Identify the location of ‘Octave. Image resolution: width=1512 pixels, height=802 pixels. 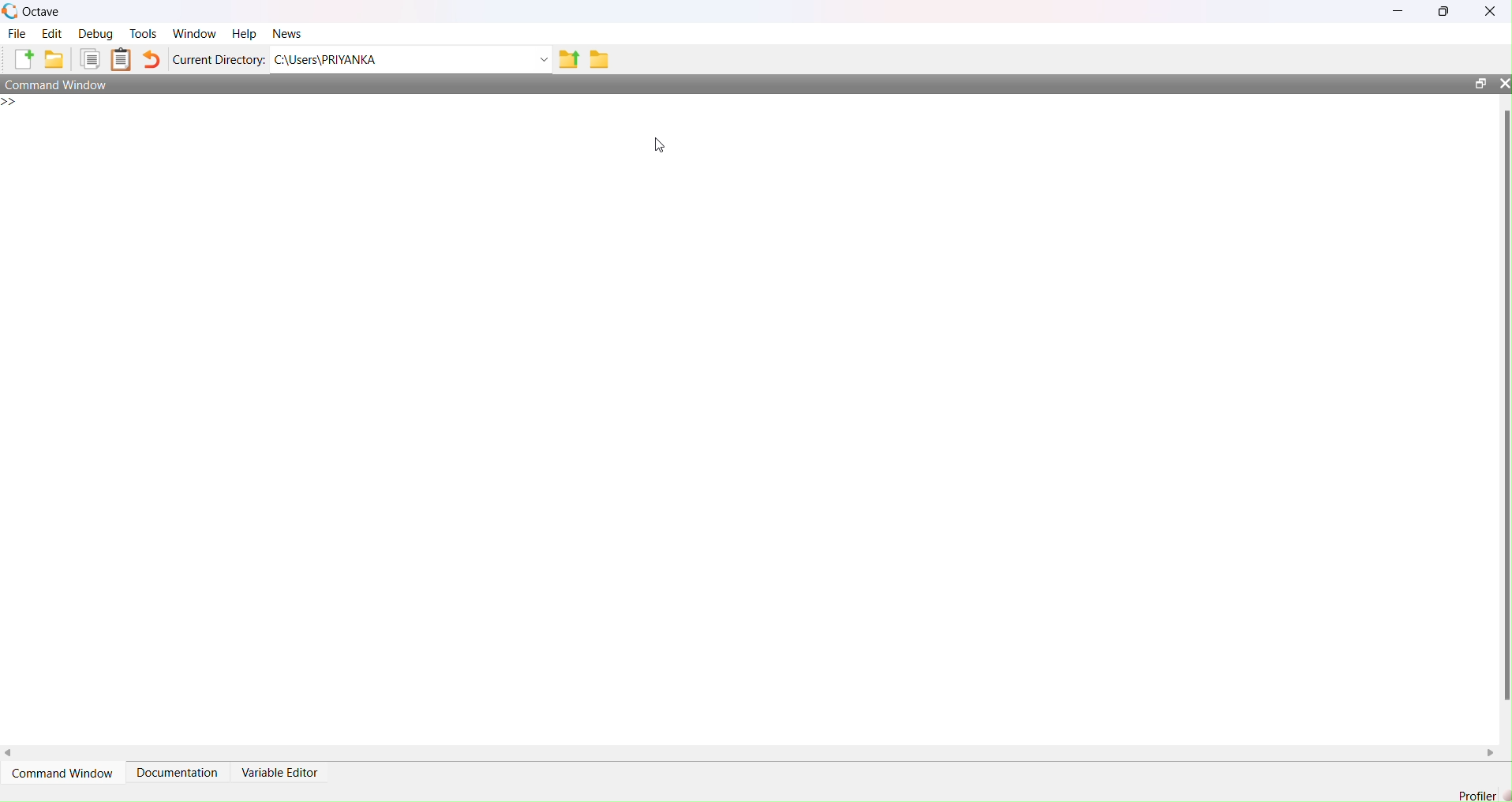
(37, 9).